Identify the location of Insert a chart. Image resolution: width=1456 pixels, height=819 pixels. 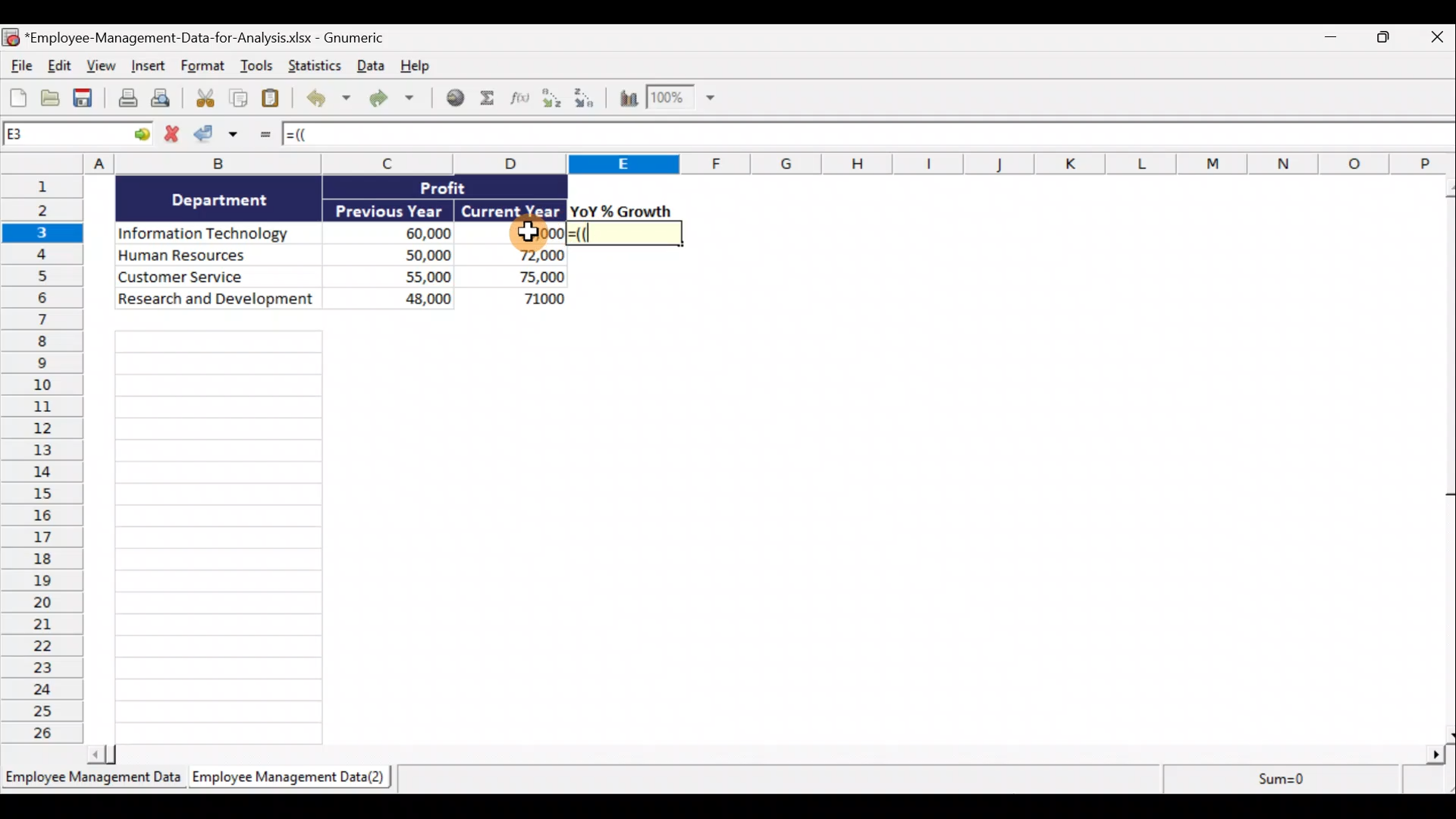
(627, 101).